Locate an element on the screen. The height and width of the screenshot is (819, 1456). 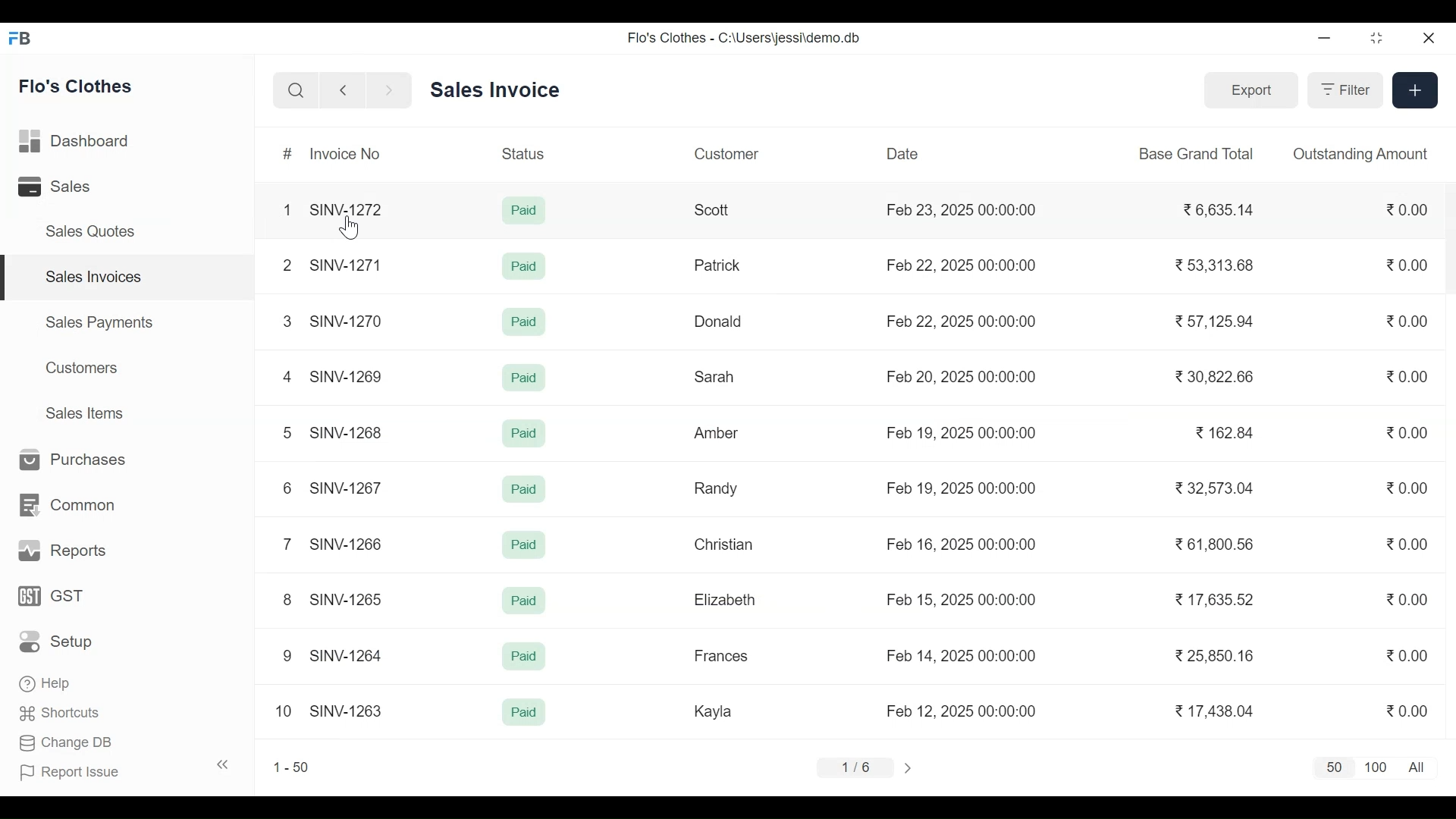
' Shortcuts is located at coordinates (64, 713).